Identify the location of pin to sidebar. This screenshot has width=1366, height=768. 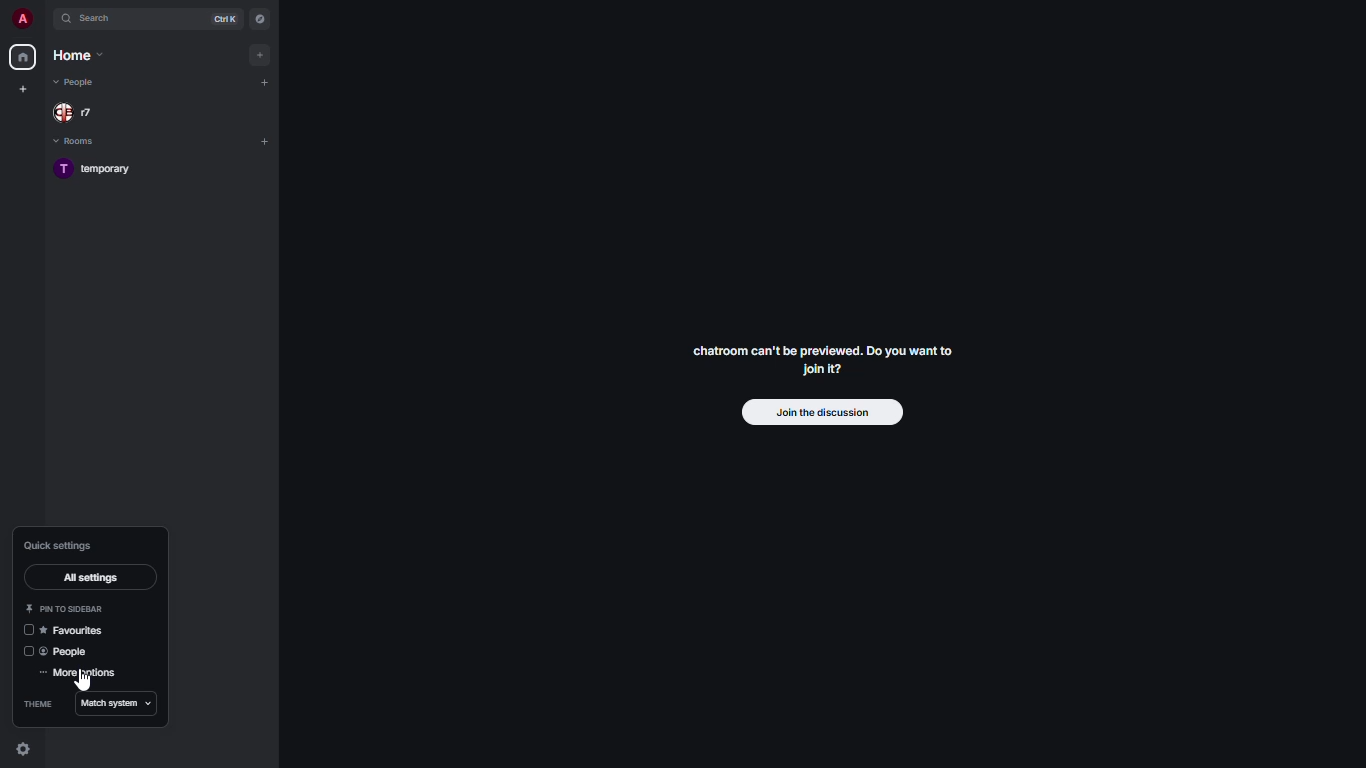
(65, 608).